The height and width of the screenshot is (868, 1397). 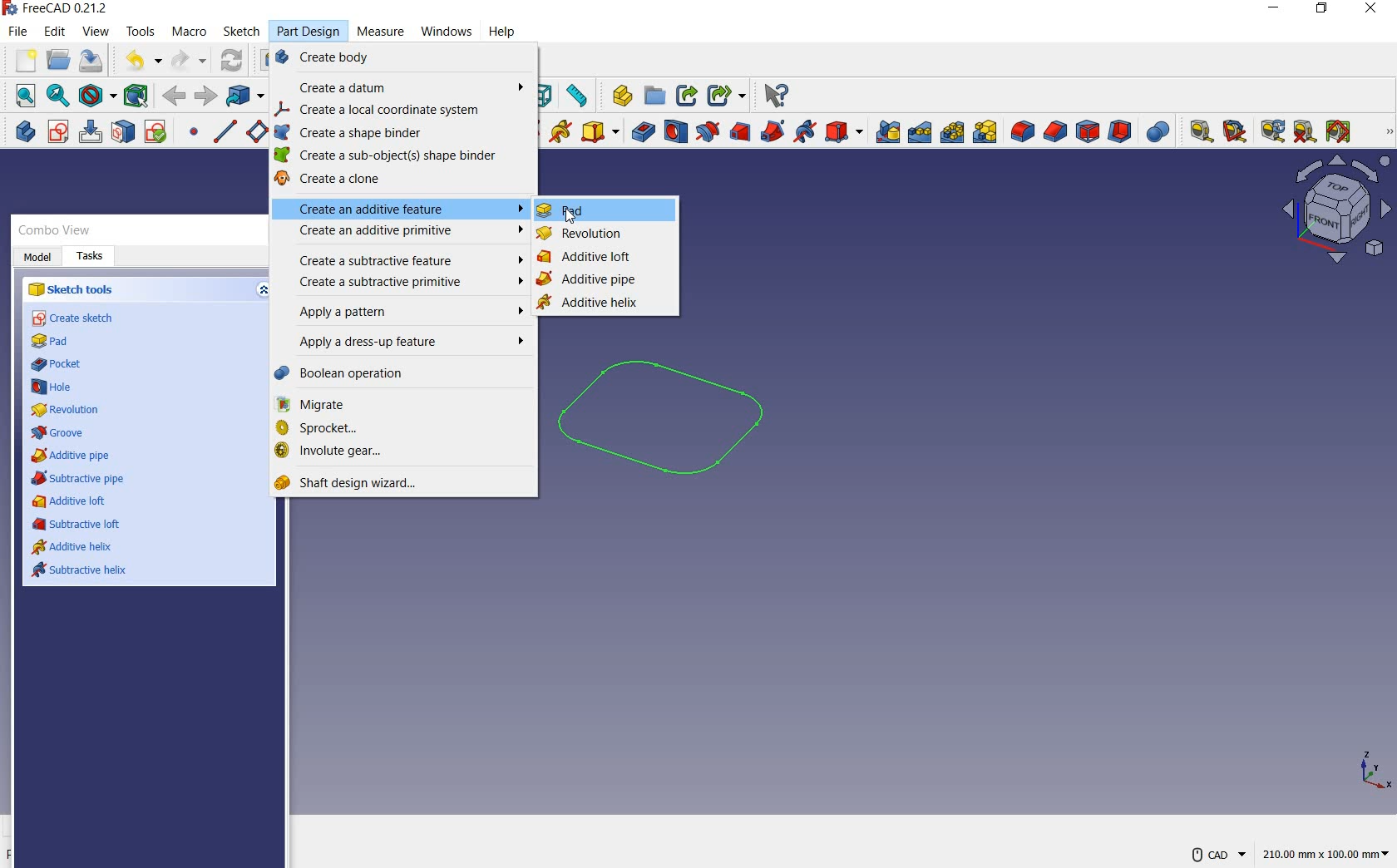 I want to click on undo, so click(x=142, y=61).